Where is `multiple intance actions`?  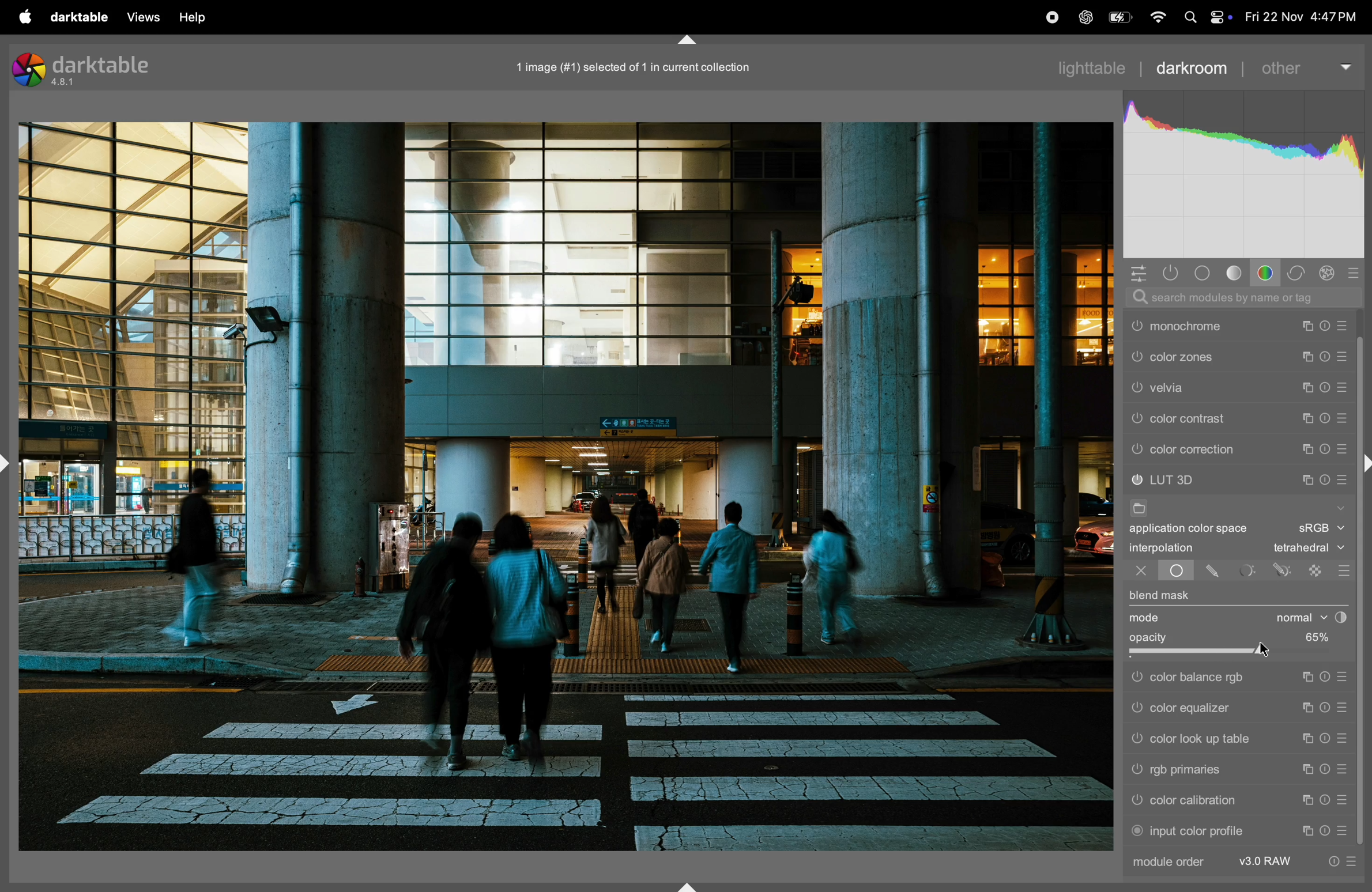 multiple intance actions is located at coordinates (1308, 414).